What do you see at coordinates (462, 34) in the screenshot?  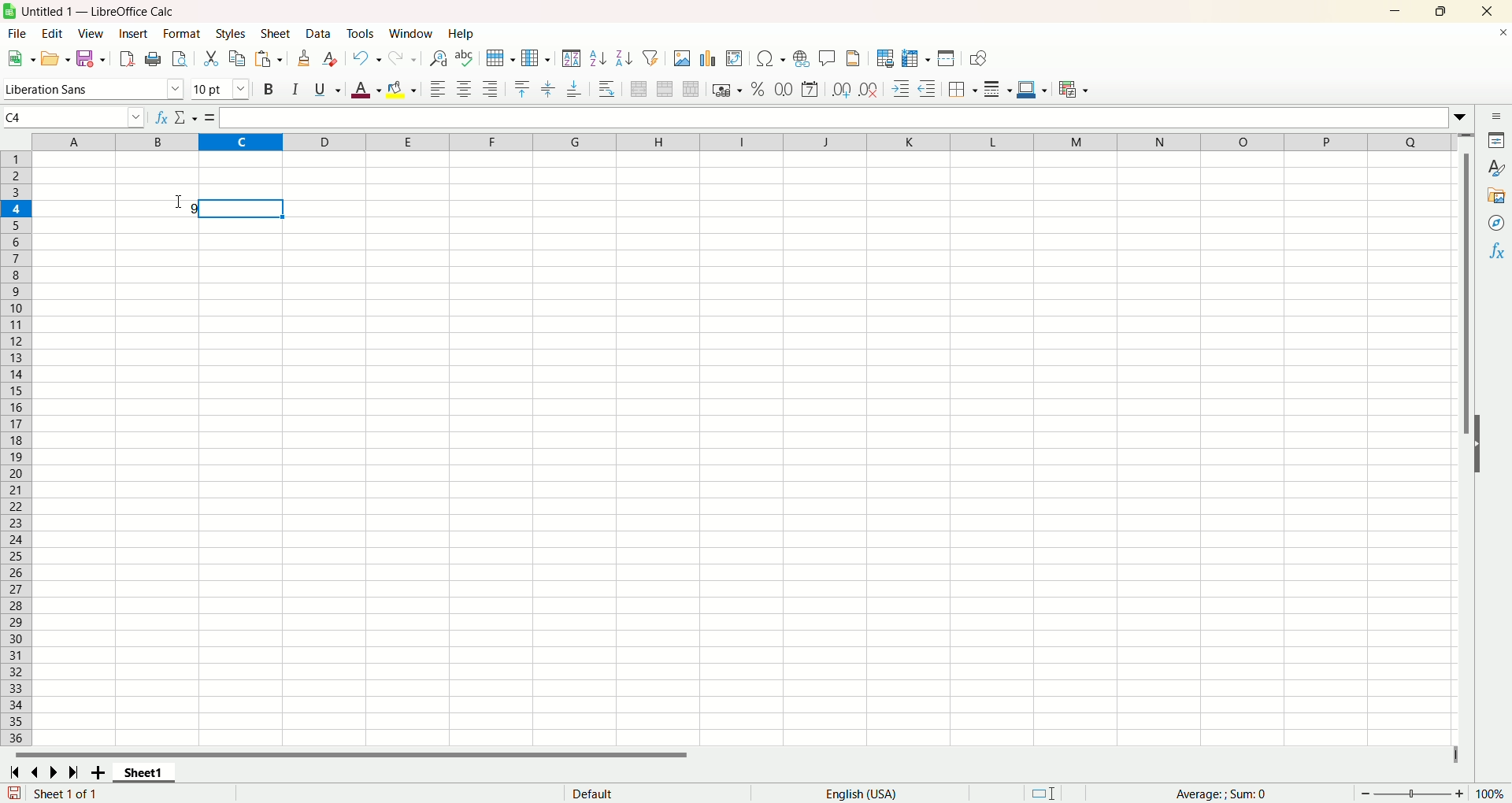 I see `help` at bounding box center [462, 34].